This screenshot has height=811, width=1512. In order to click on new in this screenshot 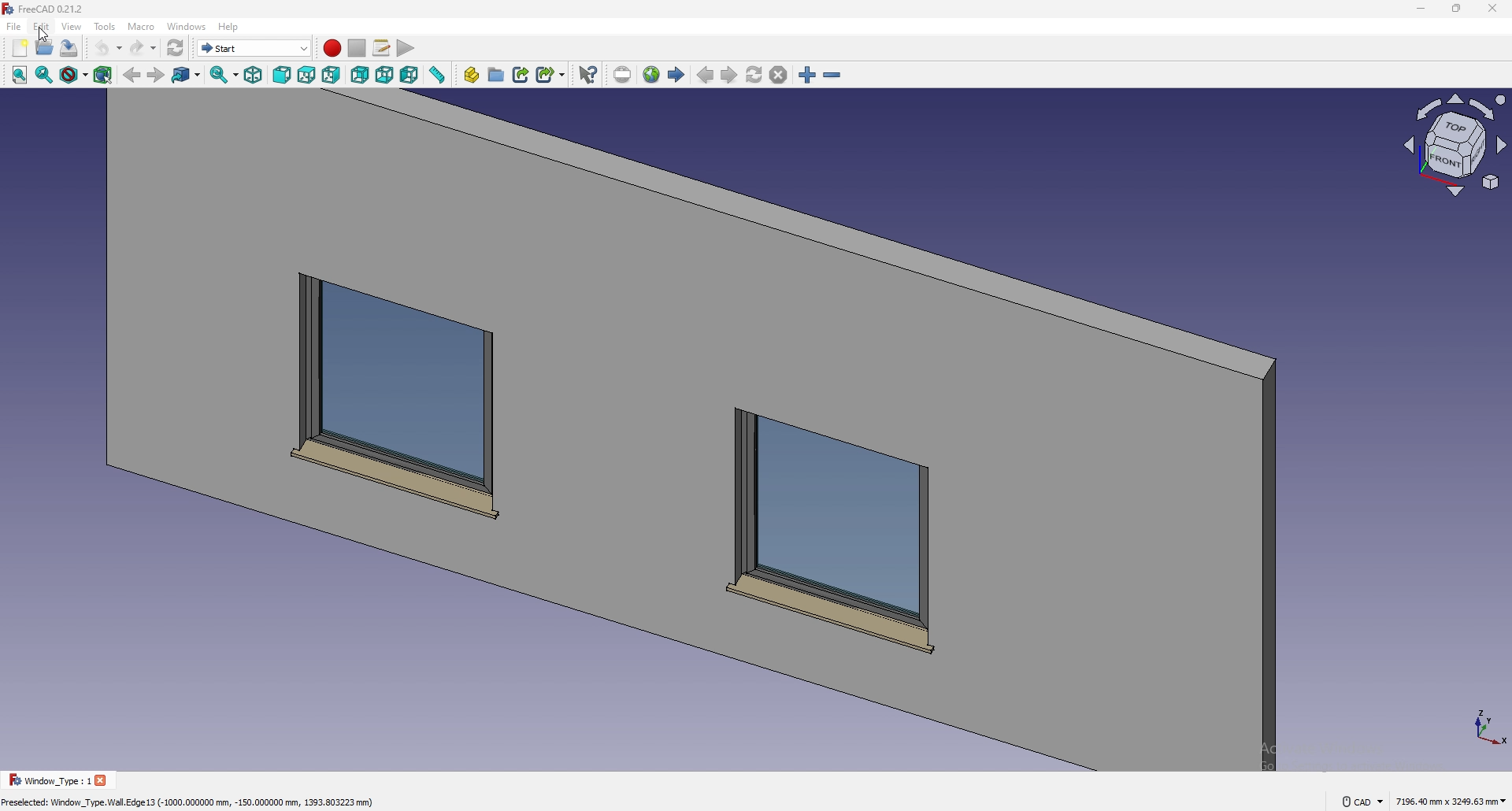, I will do `click(19, 48)`.